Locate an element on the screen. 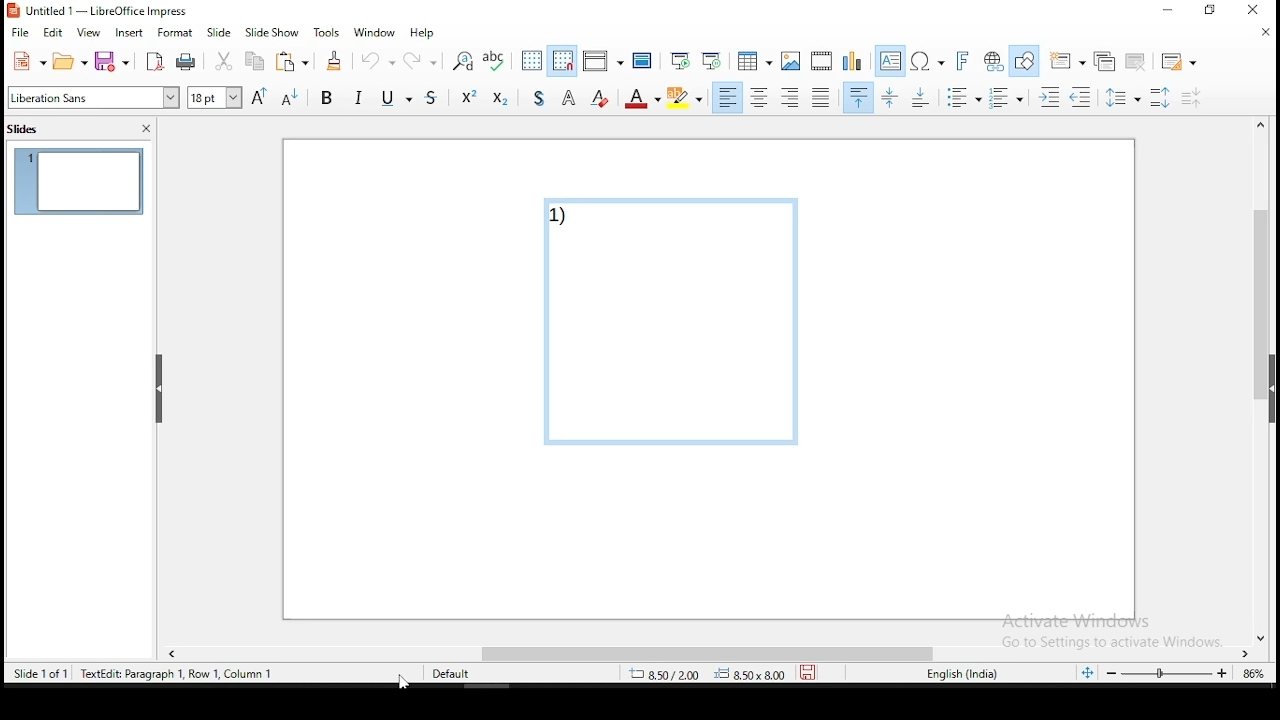 Image resolution: width=1280 pixels, height=720 pixels. slide show is located at coordinates (272, 33).